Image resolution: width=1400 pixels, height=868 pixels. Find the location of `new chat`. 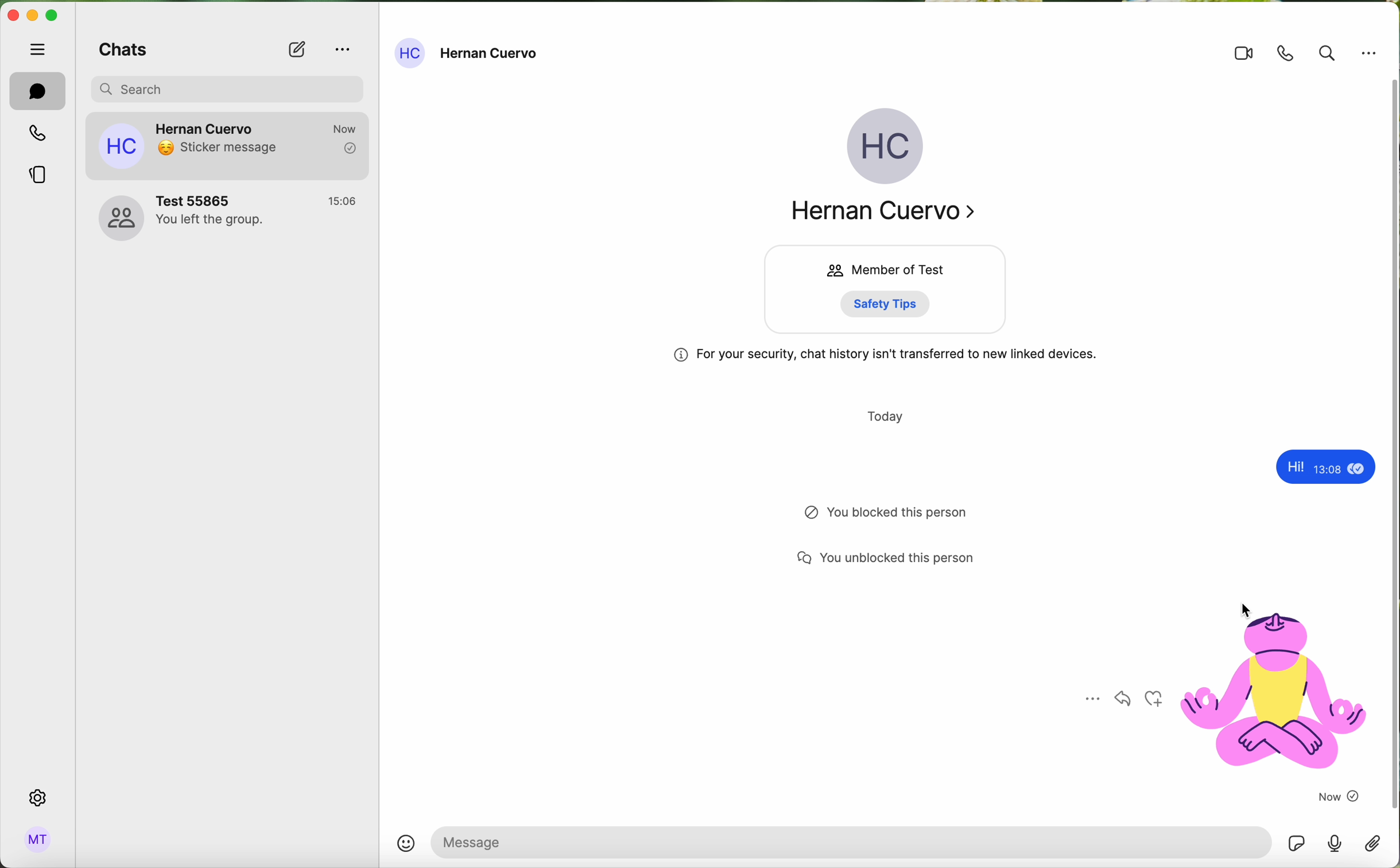

new chat is located at coordinates (296, 51).